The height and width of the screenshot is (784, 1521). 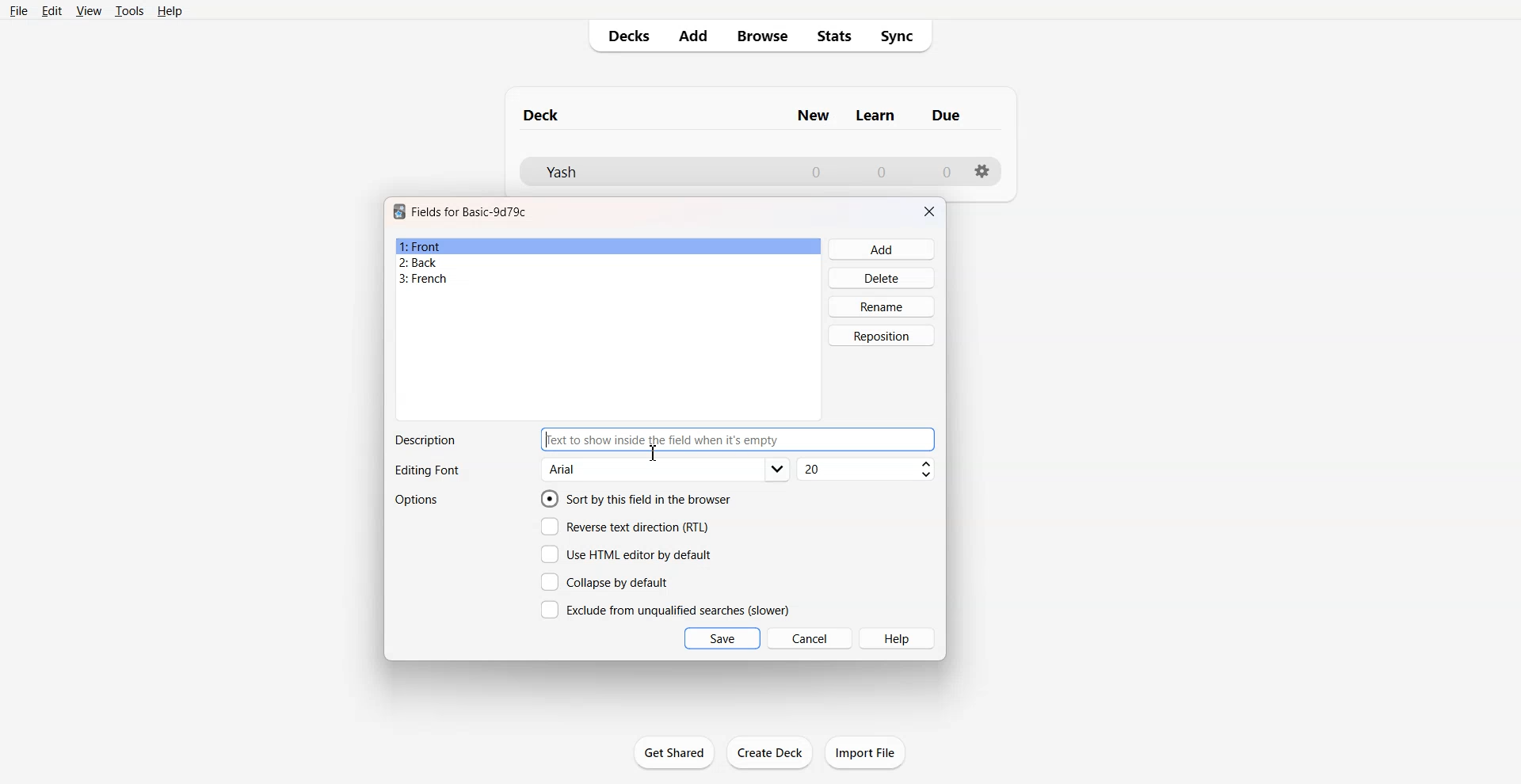 I want to click on Import File, so click(x=865, y=752).